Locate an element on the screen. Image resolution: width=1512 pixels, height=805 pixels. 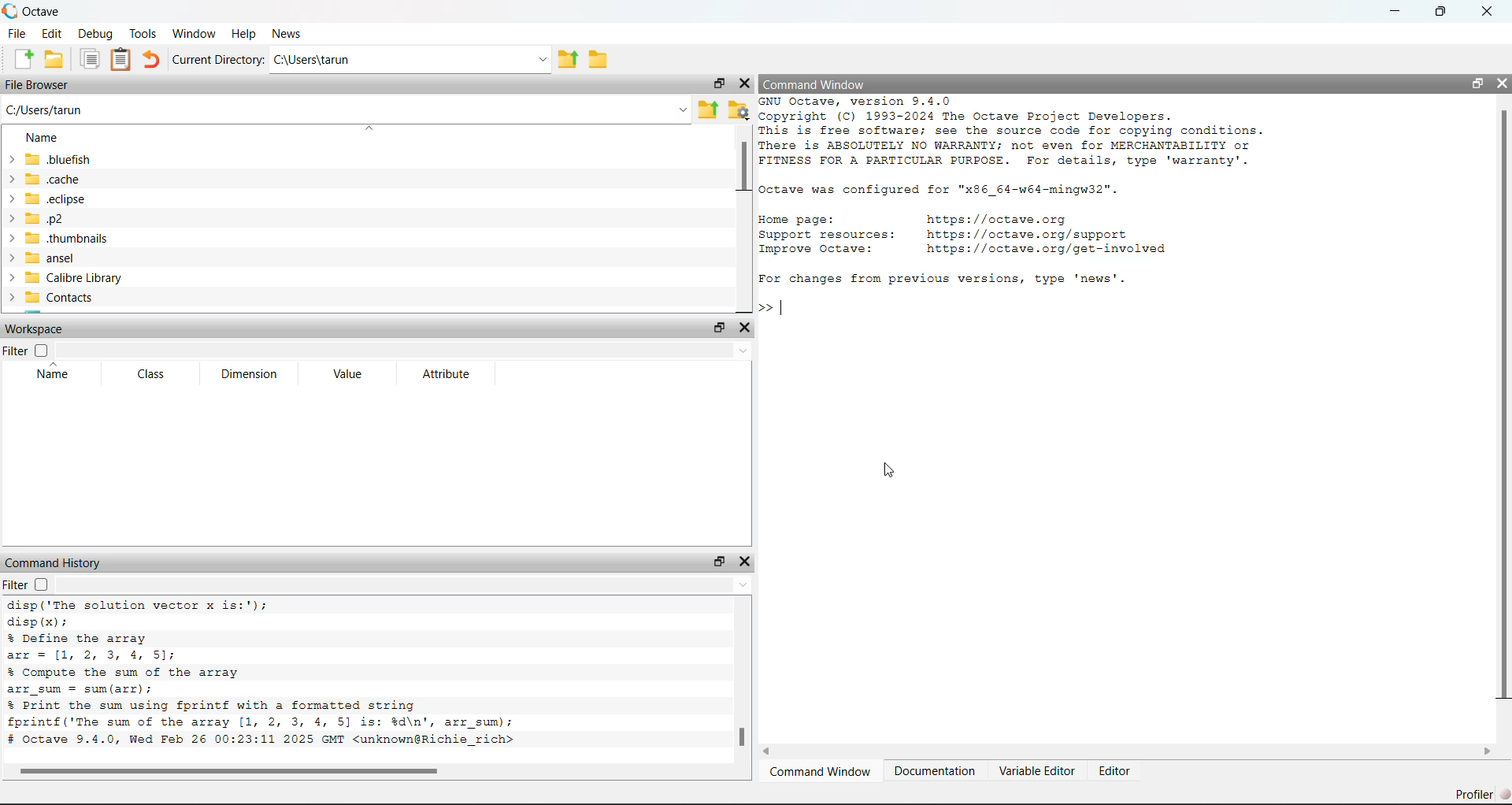
Class is located at coordinates (156, 375).